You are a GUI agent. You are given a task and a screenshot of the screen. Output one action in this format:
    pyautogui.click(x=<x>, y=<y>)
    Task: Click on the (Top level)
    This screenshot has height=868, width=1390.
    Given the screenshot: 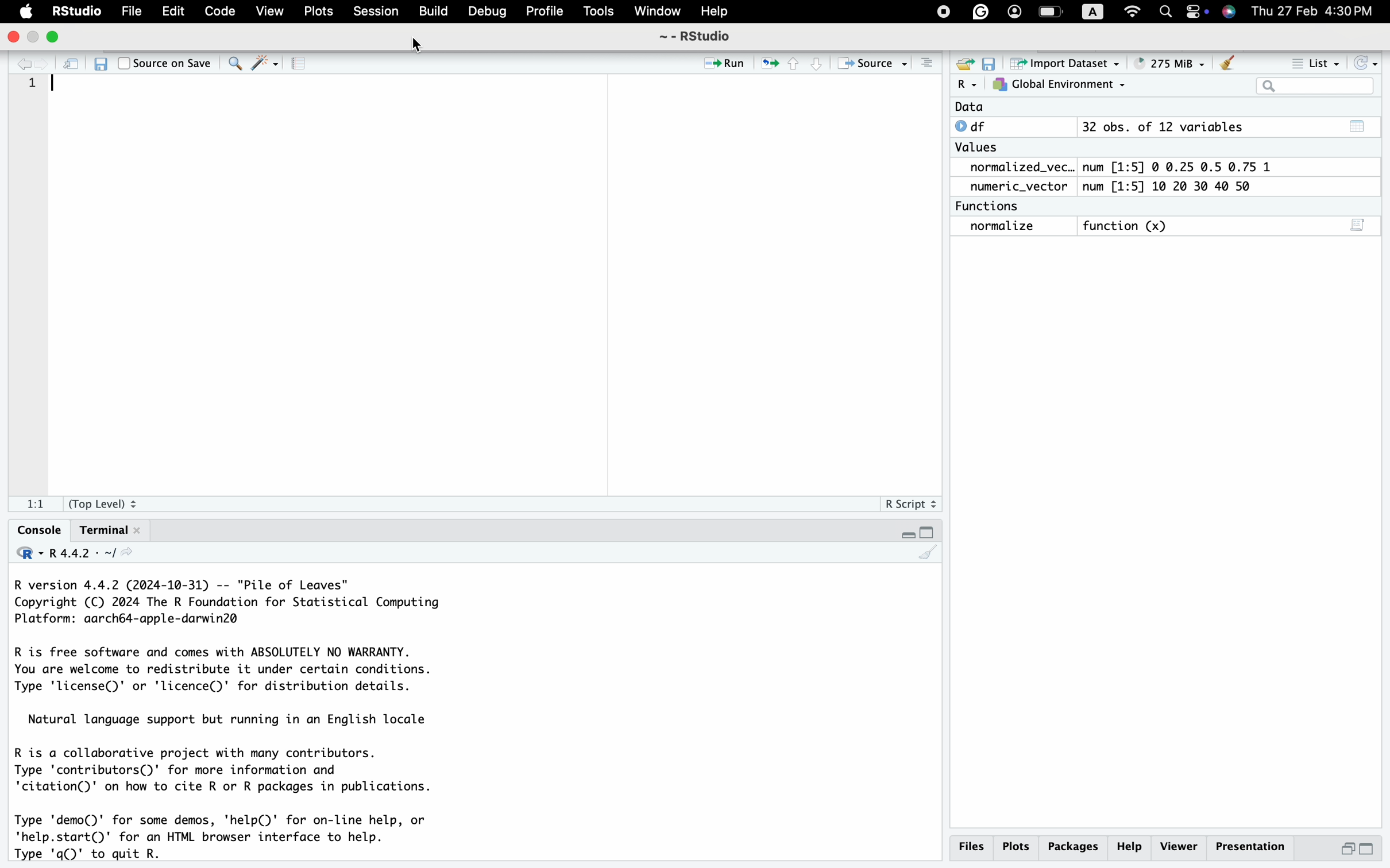 What is the action you would take?
    pyautogui.click(x=104, y=503)
    